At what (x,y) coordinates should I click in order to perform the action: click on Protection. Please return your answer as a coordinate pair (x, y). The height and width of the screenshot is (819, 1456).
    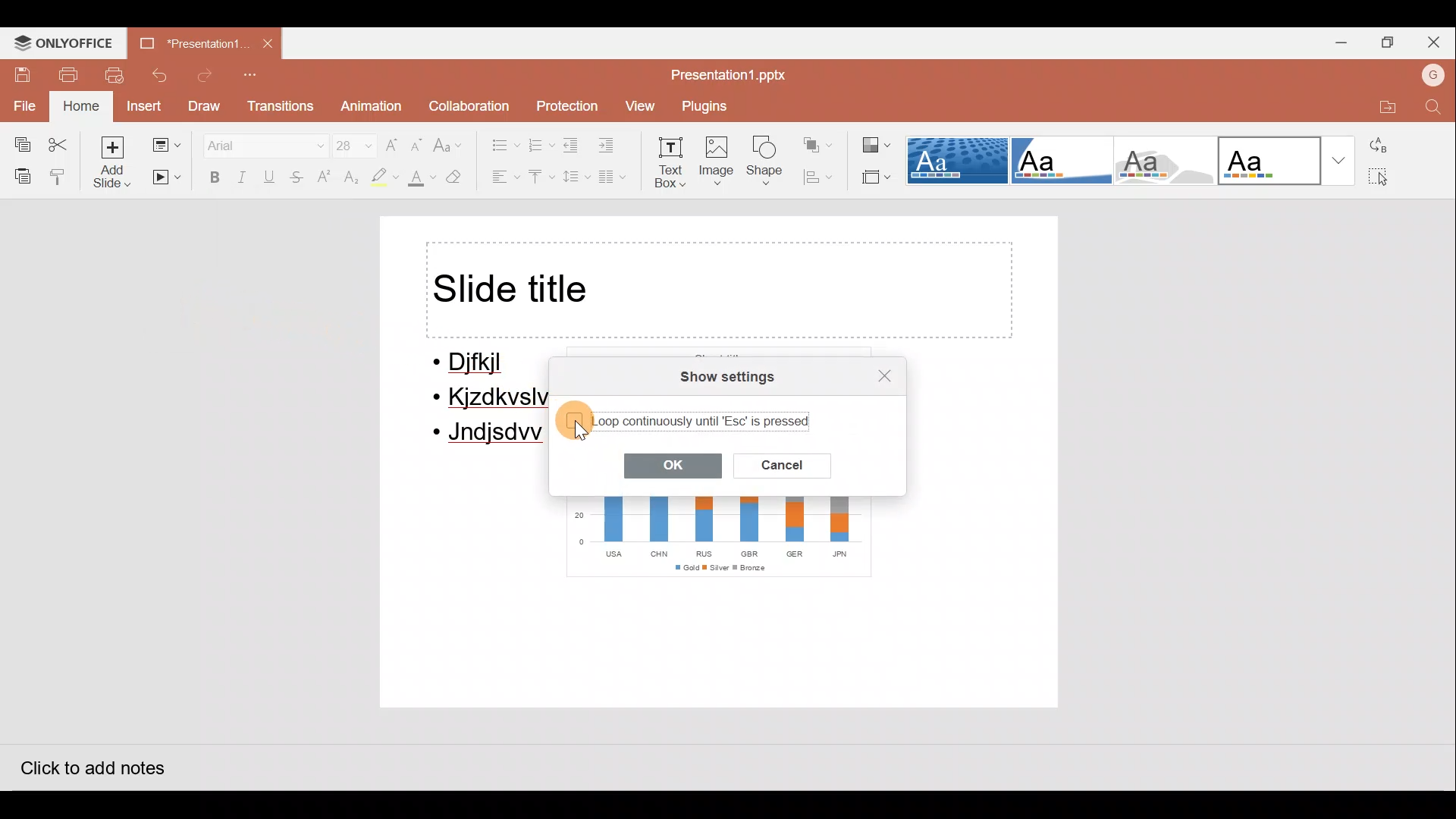
    Looking at the image, I should click on (567, 103).